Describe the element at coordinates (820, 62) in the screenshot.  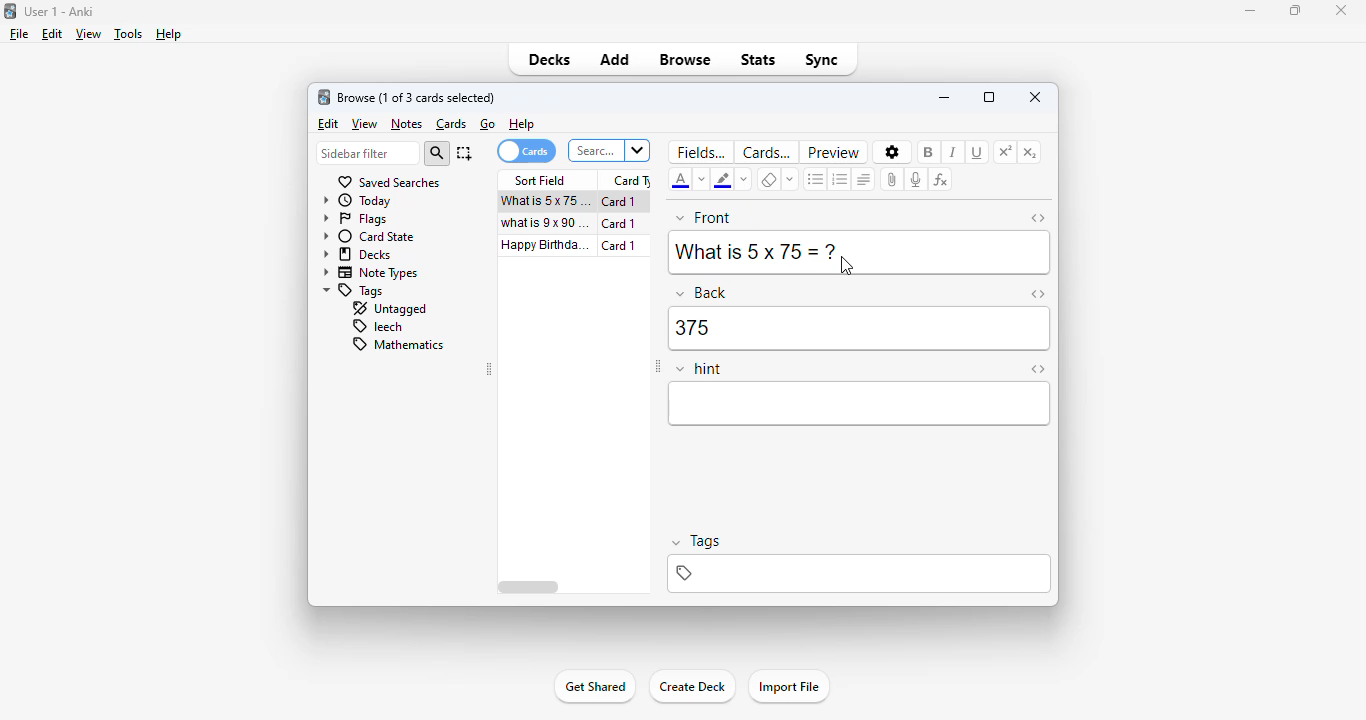
I see `sync` at that location.